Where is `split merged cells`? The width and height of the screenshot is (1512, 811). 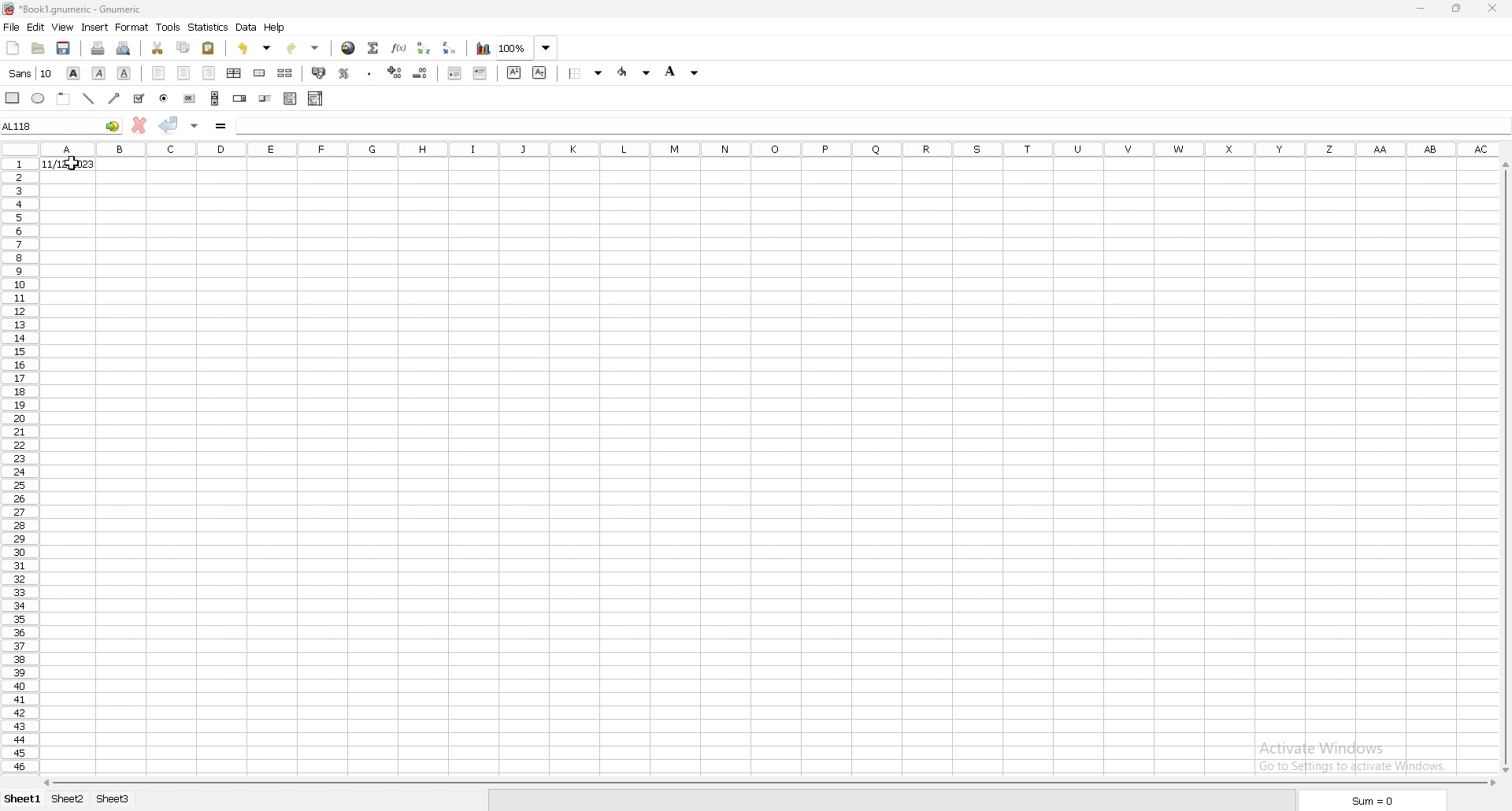
split merged cells is located at coordinates (287, 73).